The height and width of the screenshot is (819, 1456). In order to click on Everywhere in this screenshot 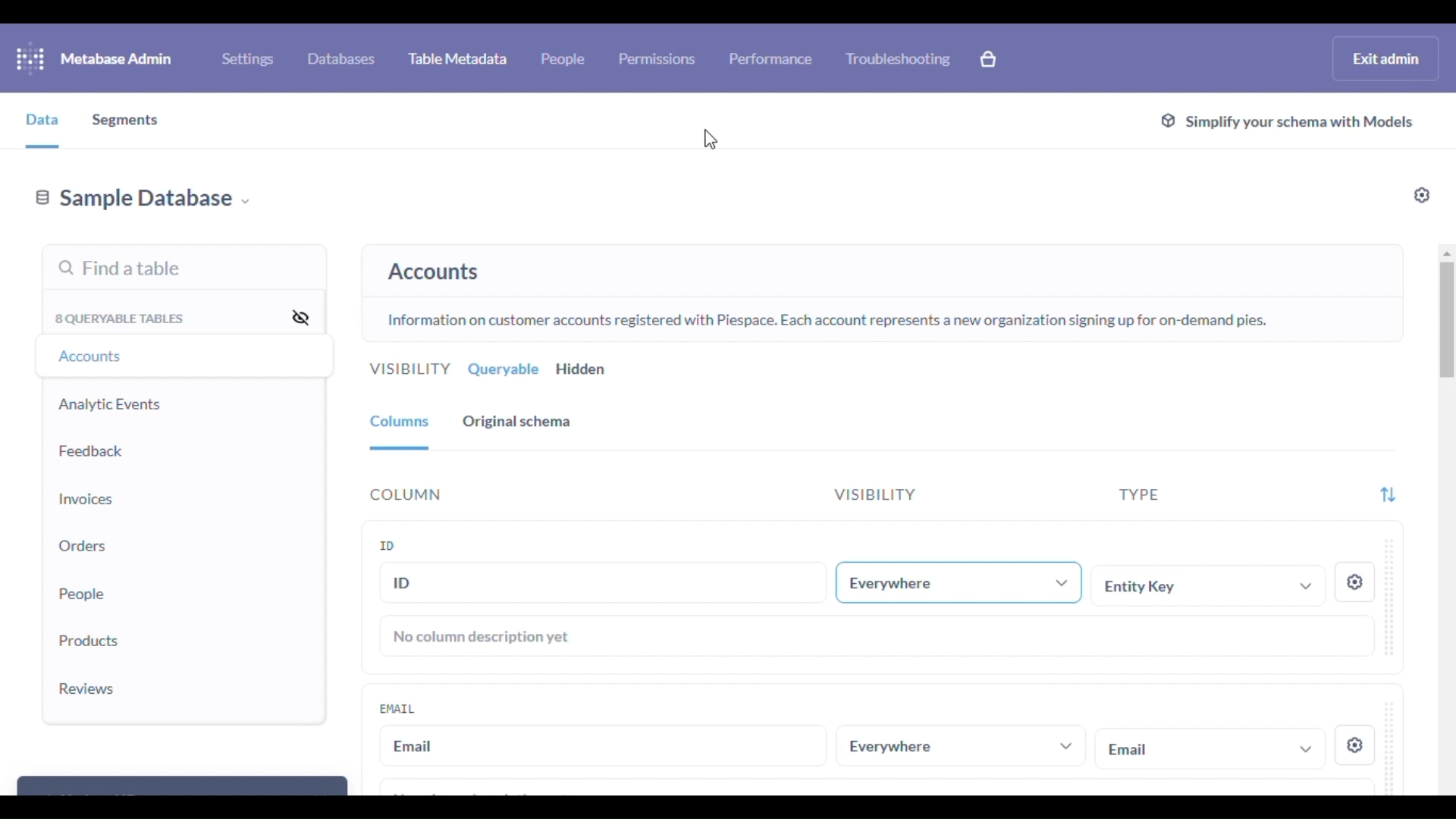, I will do `click(964, 581)`.